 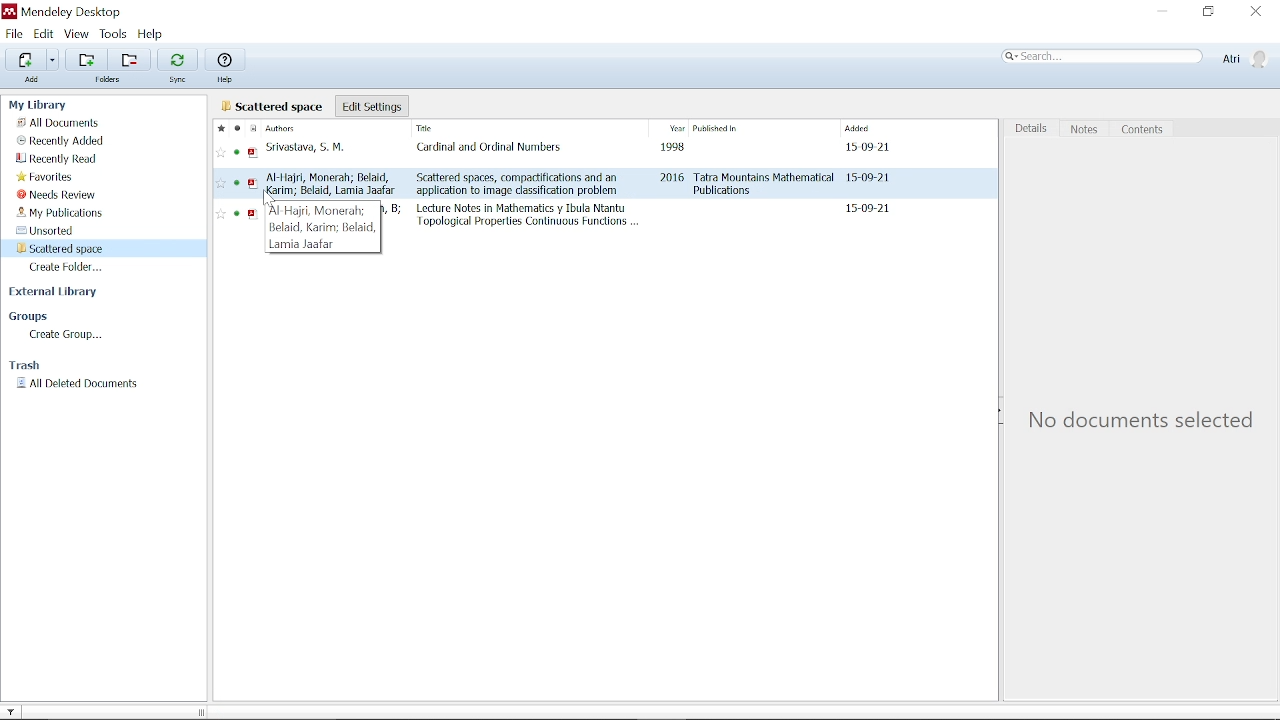 I want to click on Restore down, so click(x=1208, y=13).